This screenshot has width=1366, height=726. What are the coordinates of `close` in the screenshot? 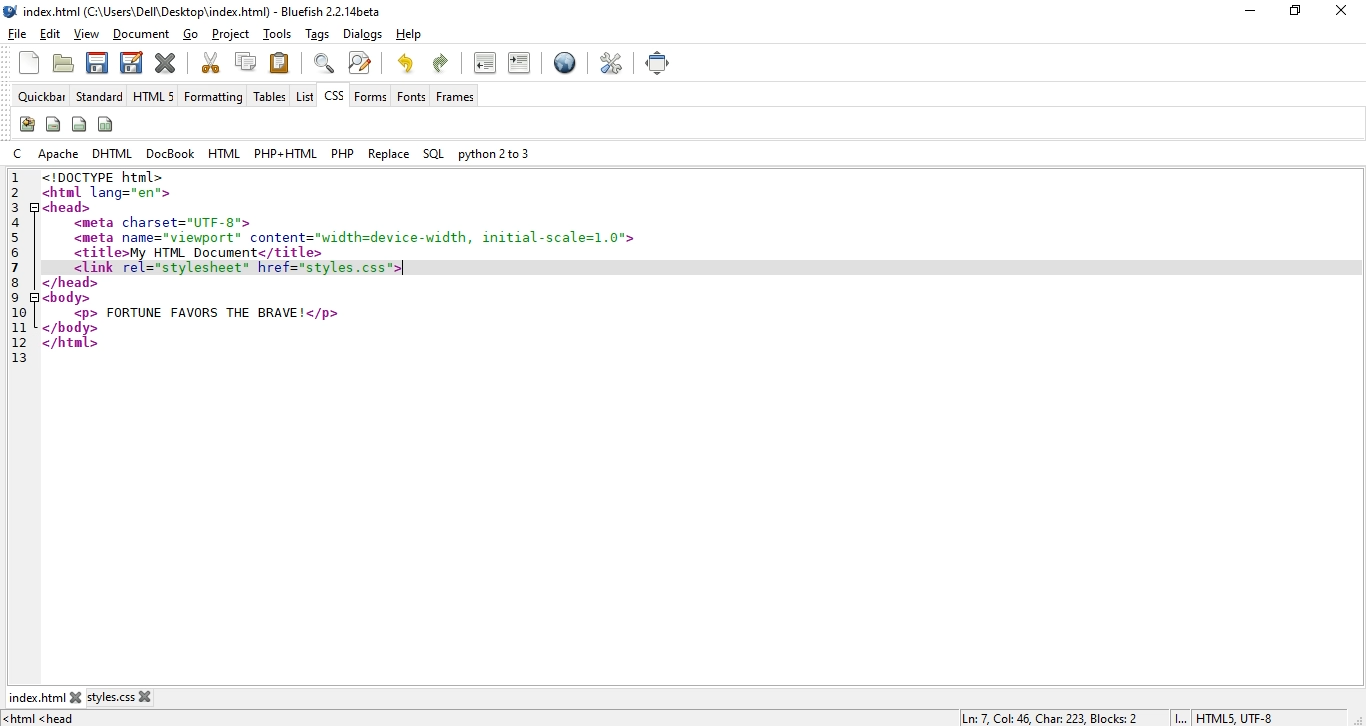 It's located at (81, 697).